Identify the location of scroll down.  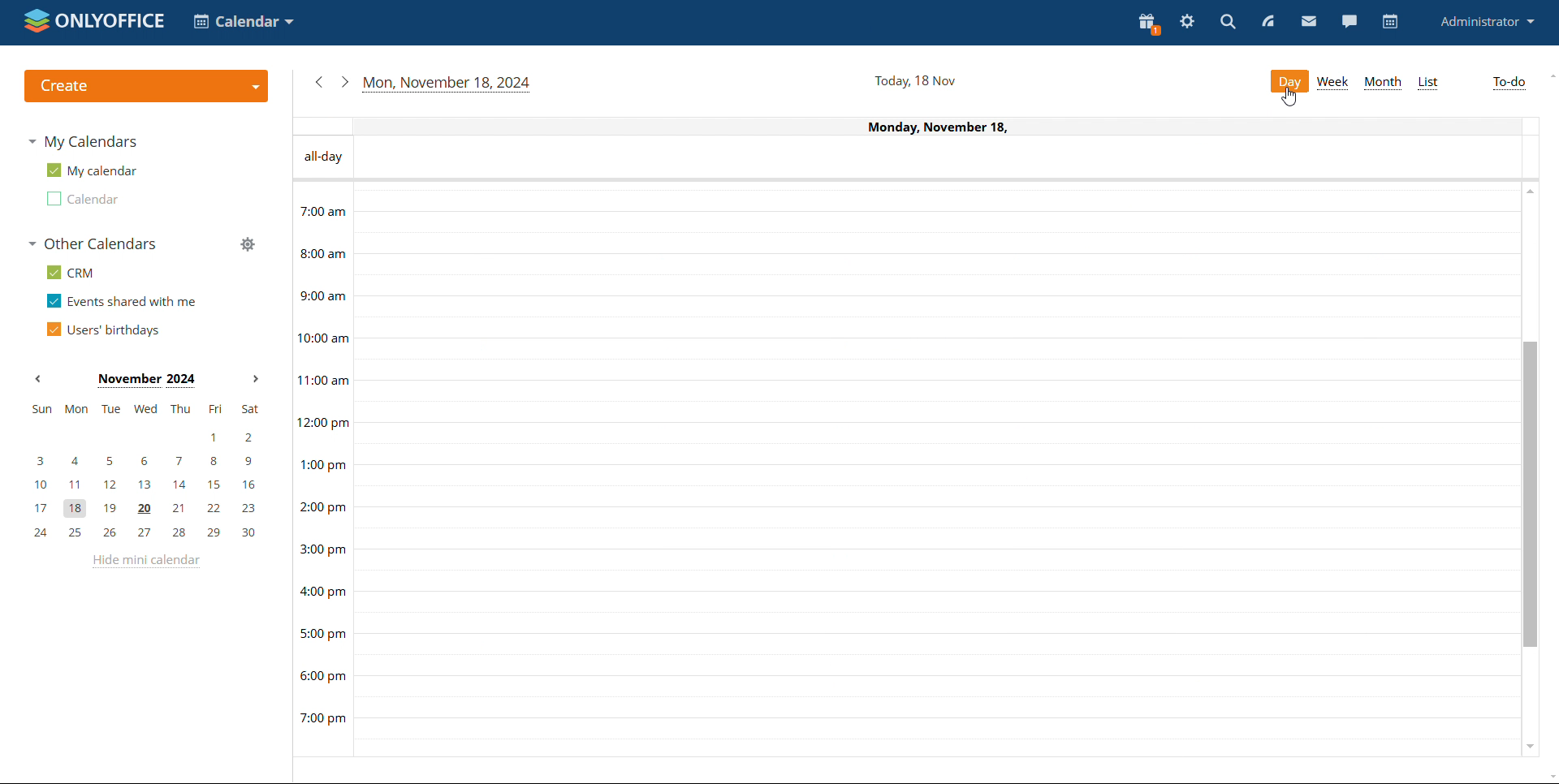
(1549, 777).